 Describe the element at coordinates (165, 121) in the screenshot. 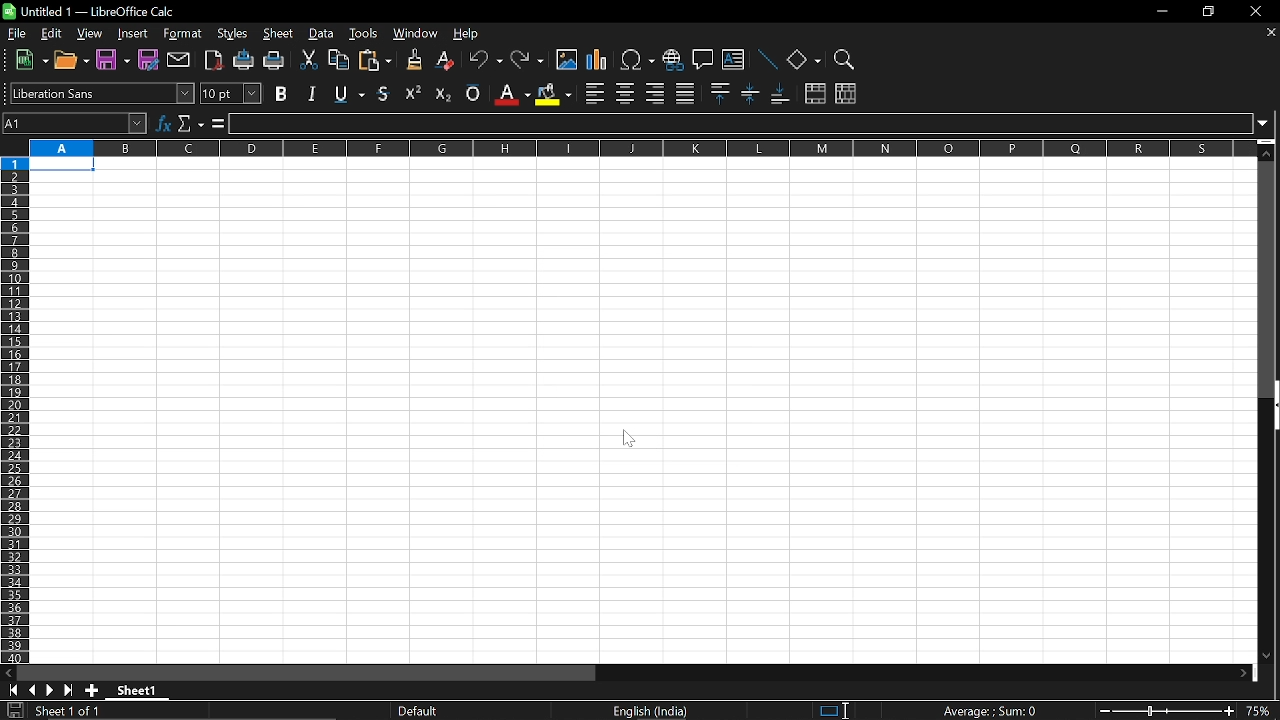

I see `function wizard` at that location.